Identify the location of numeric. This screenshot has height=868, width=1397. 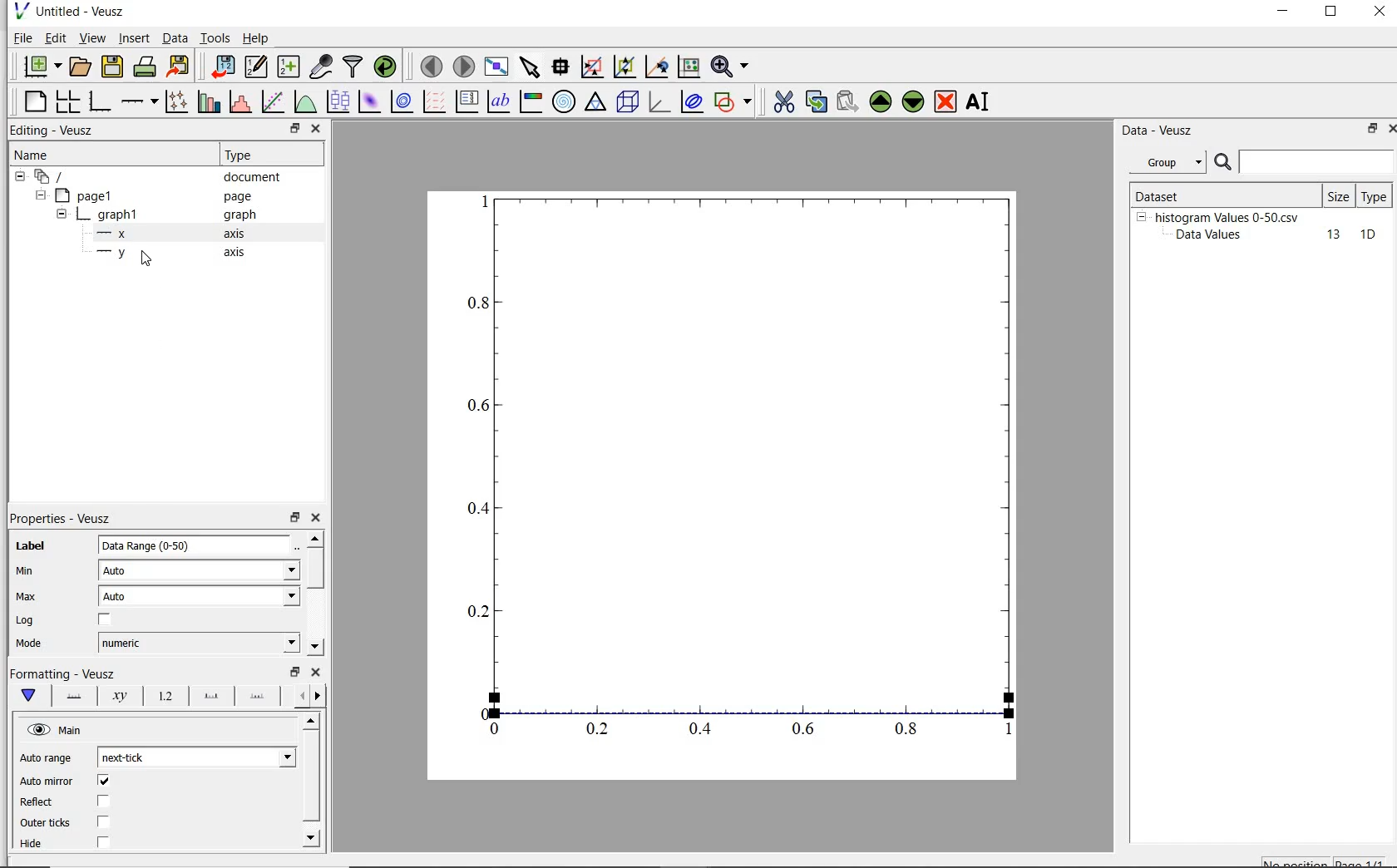
(197, 643).